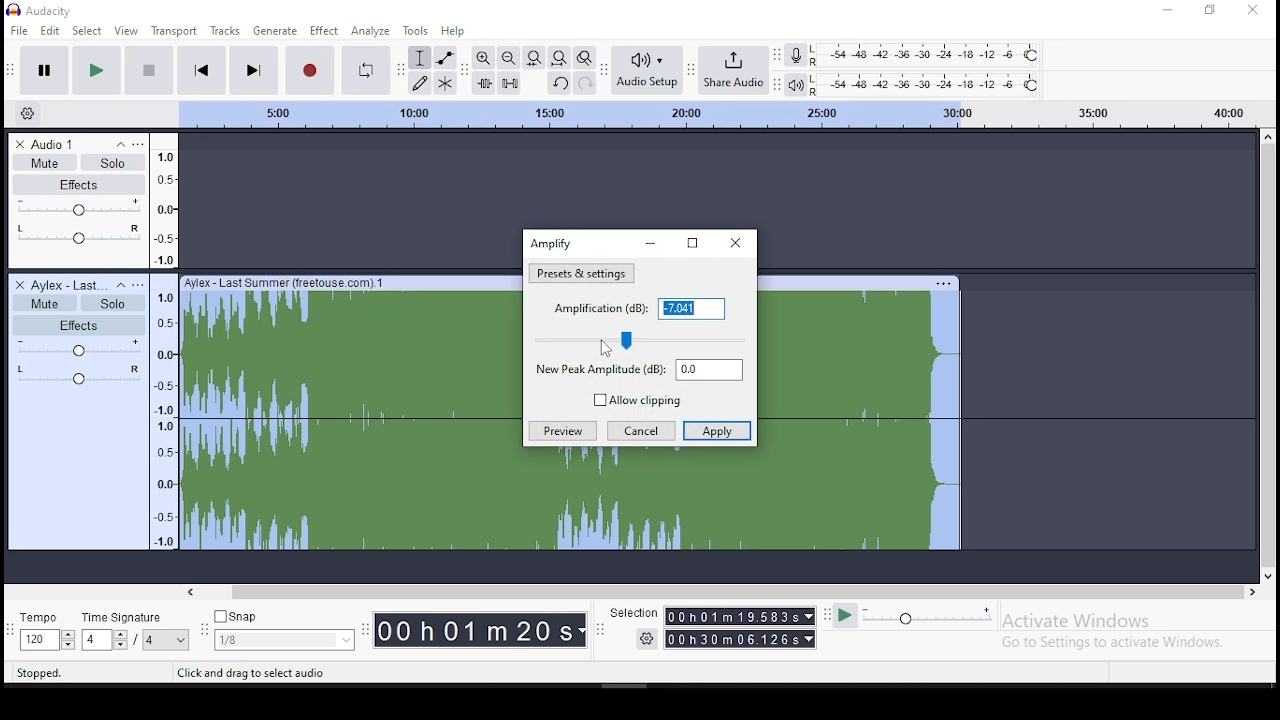 This screenshot has height=720, width=1280. I want to click on redo, so click(584, 83).